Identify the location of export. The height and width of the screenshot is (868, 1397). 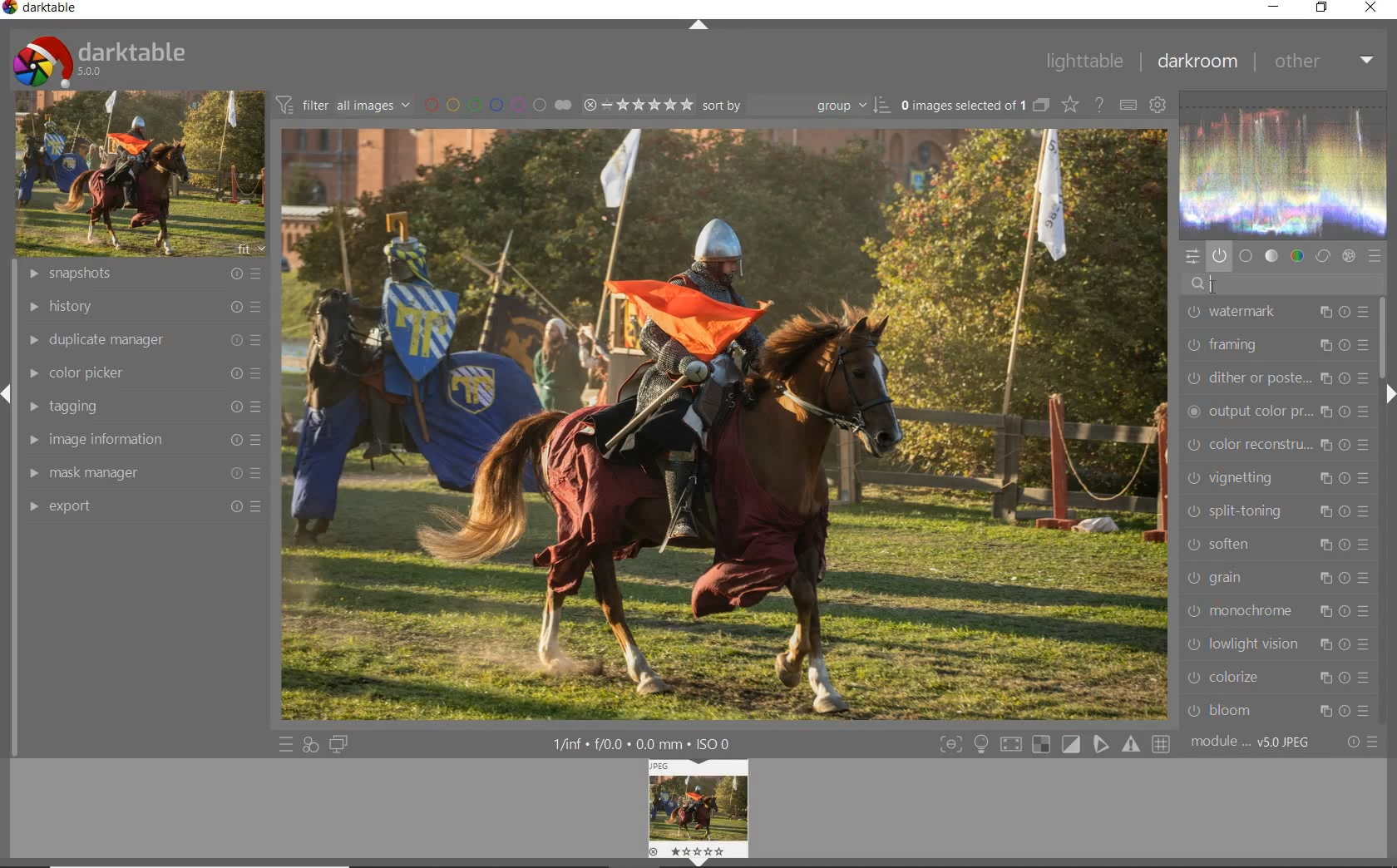
(140, 506).